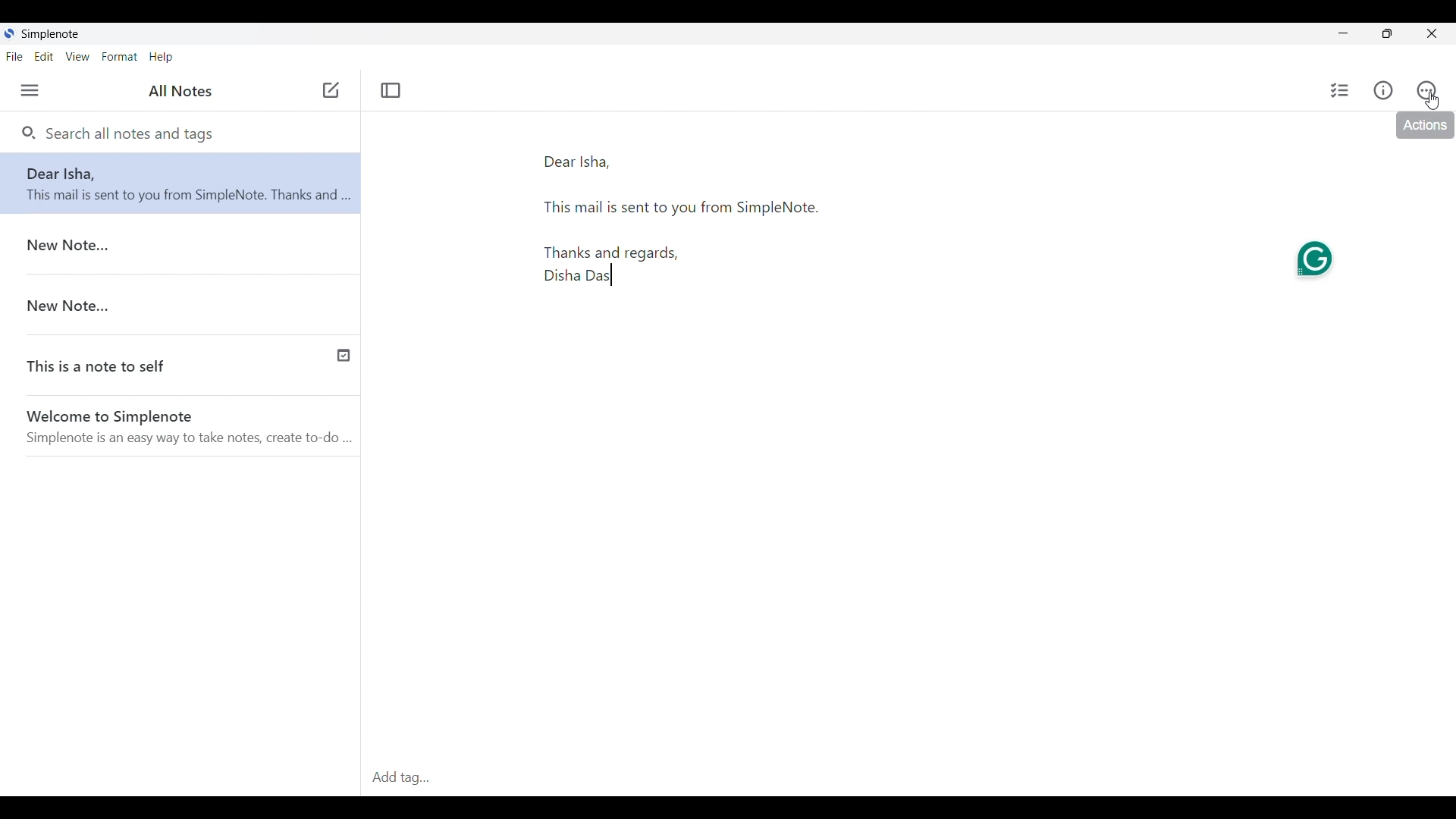 The height and width of the screenshot is (819, 1456). What do you see at coordinates (1317, 258) in the screenshot?
I see `Grammarly extension ` at bounding box center [1317, 258].